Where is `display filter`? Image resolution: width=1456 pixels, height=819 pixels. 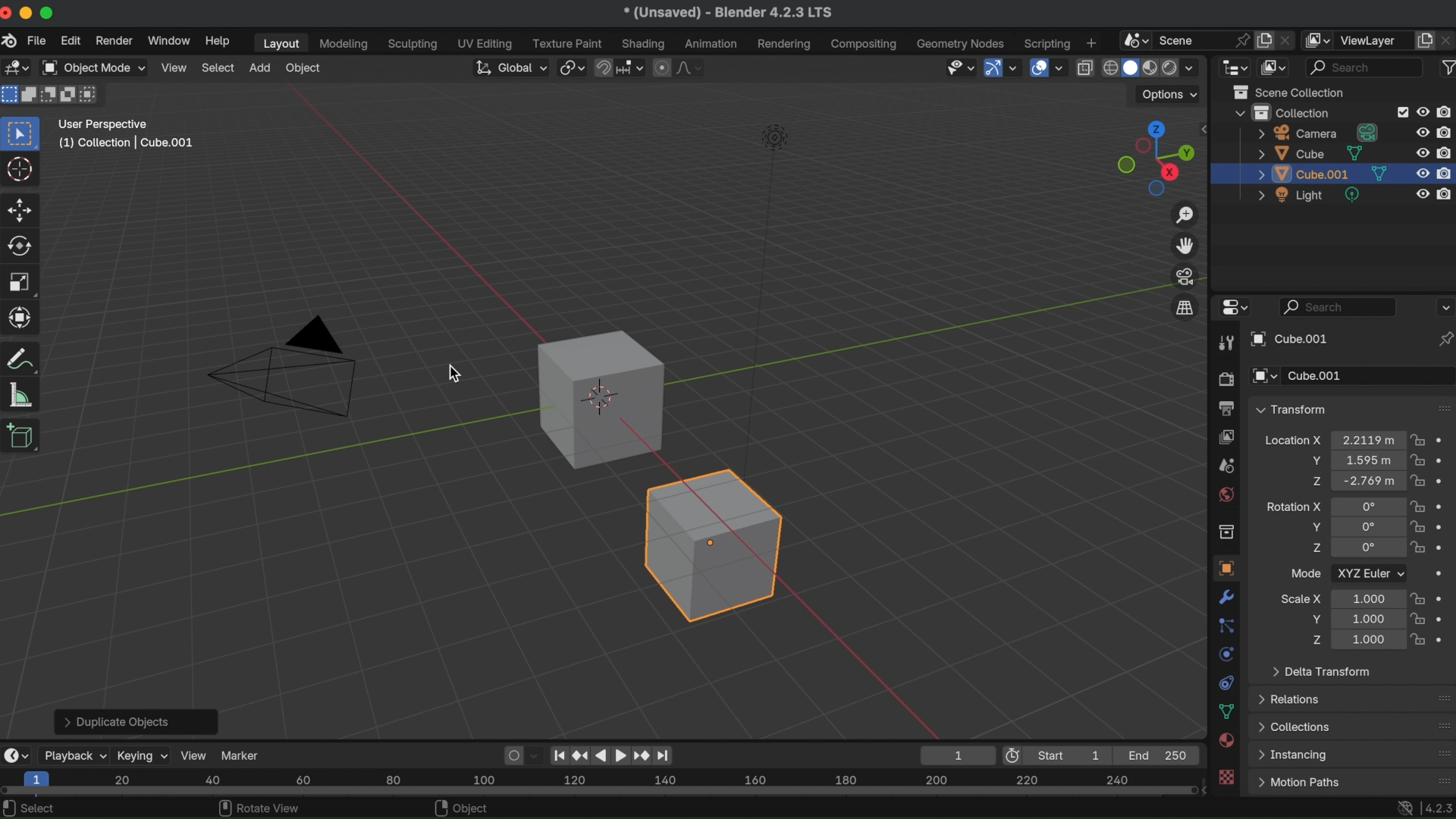 display filter is located at coordinates (1365, 67).